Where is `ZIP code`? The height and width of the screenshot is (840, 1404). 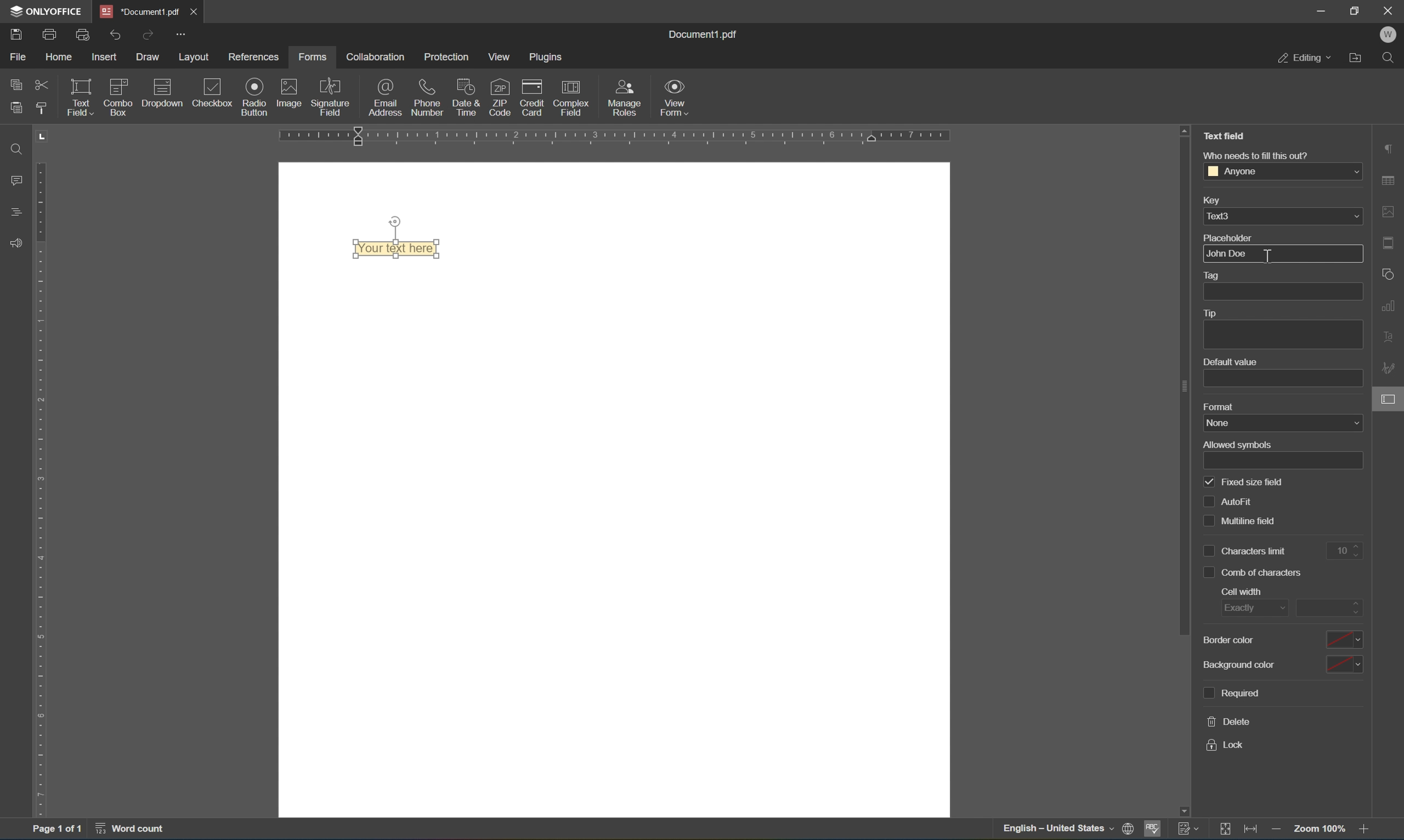
ZIP code is located at coordinates (499, 96).